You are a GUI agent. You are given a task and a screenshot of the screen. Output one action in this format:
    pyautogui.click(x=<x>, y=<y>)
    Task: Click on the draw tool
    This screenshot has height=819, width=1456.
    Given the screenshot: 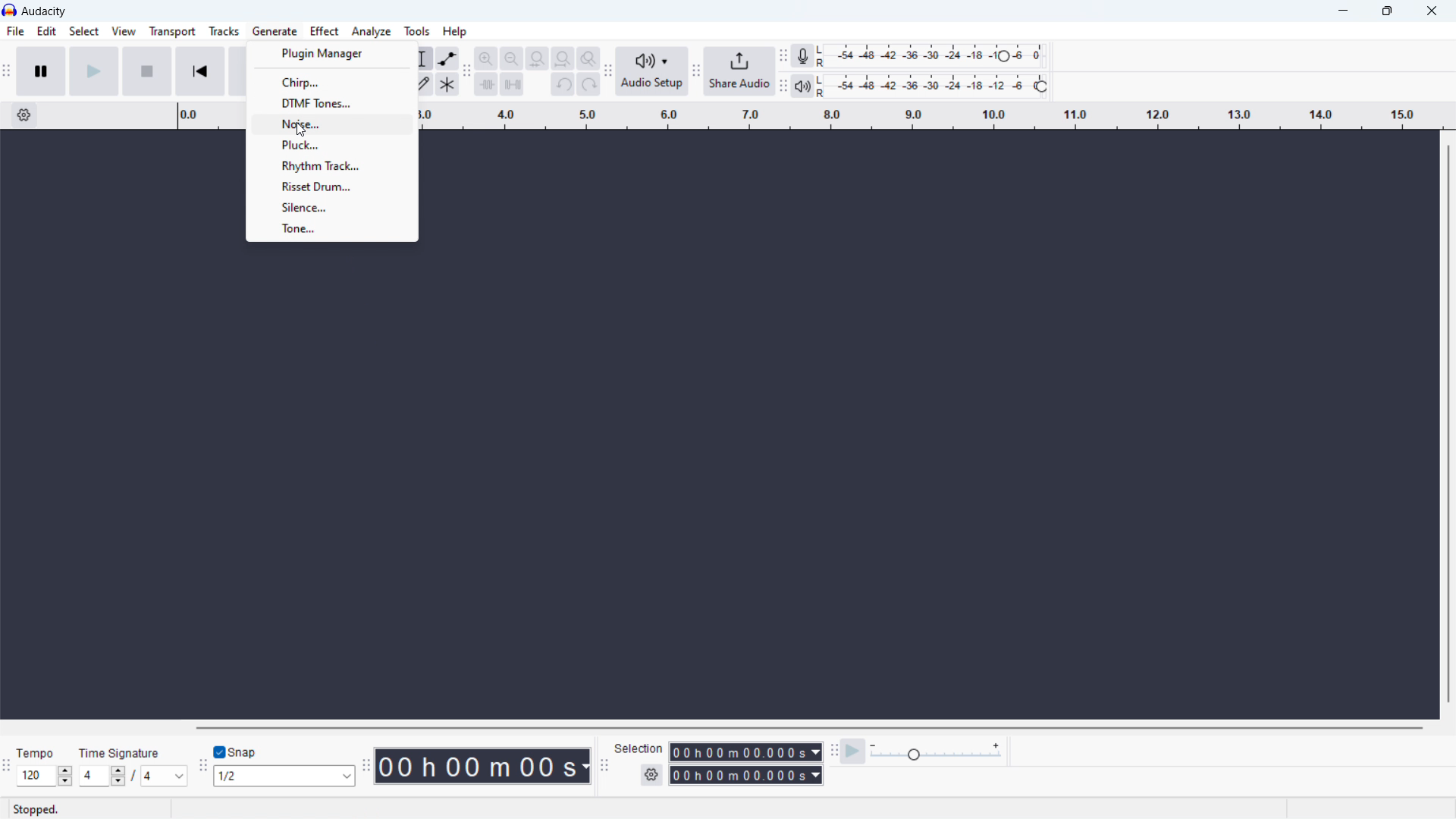 What is the action you would take?
    pyautogui.click(x=425, y=84)
    